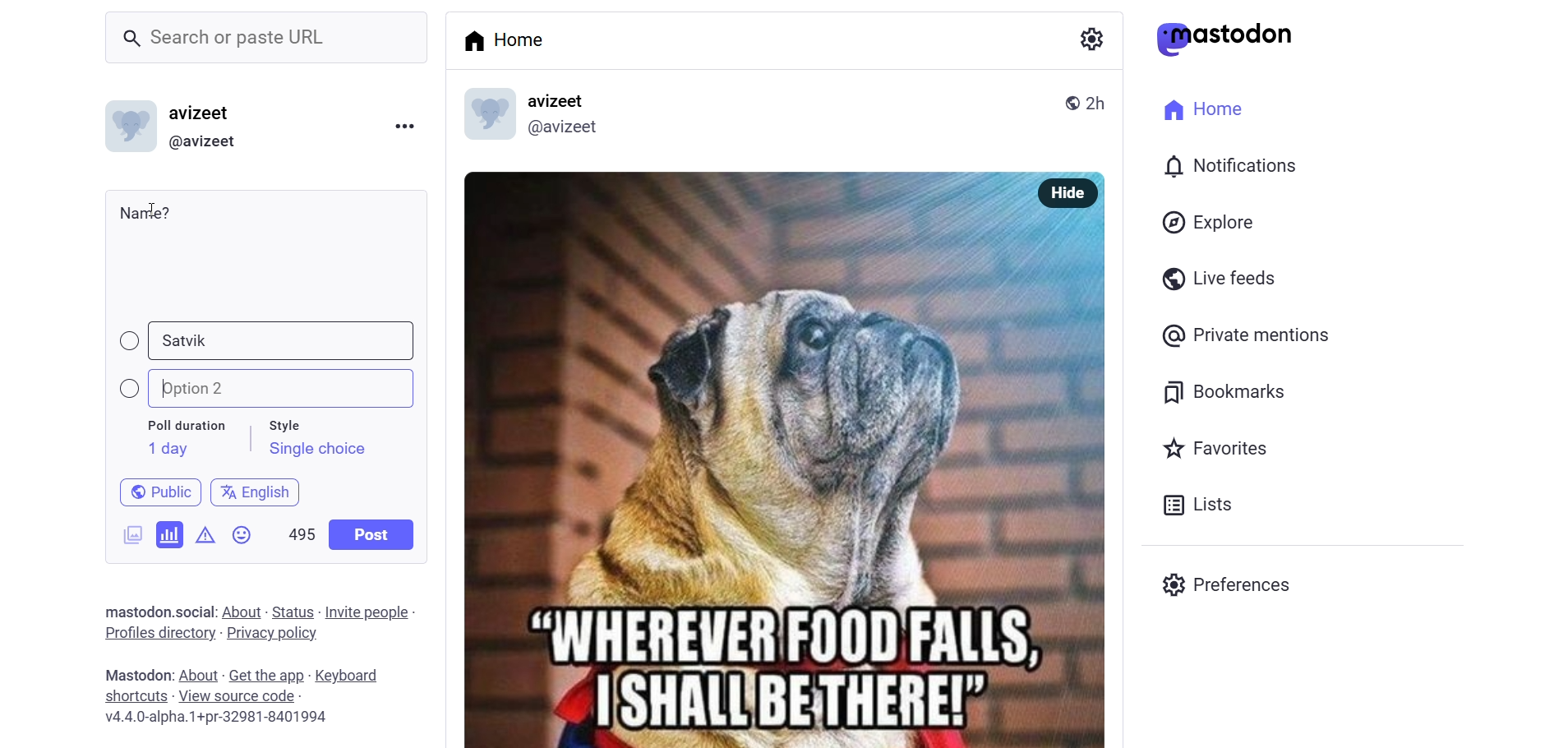 The image size is (1568, 748). Describe the element at coordinates (153, 491) in the screenshot. I see `public` at that location.